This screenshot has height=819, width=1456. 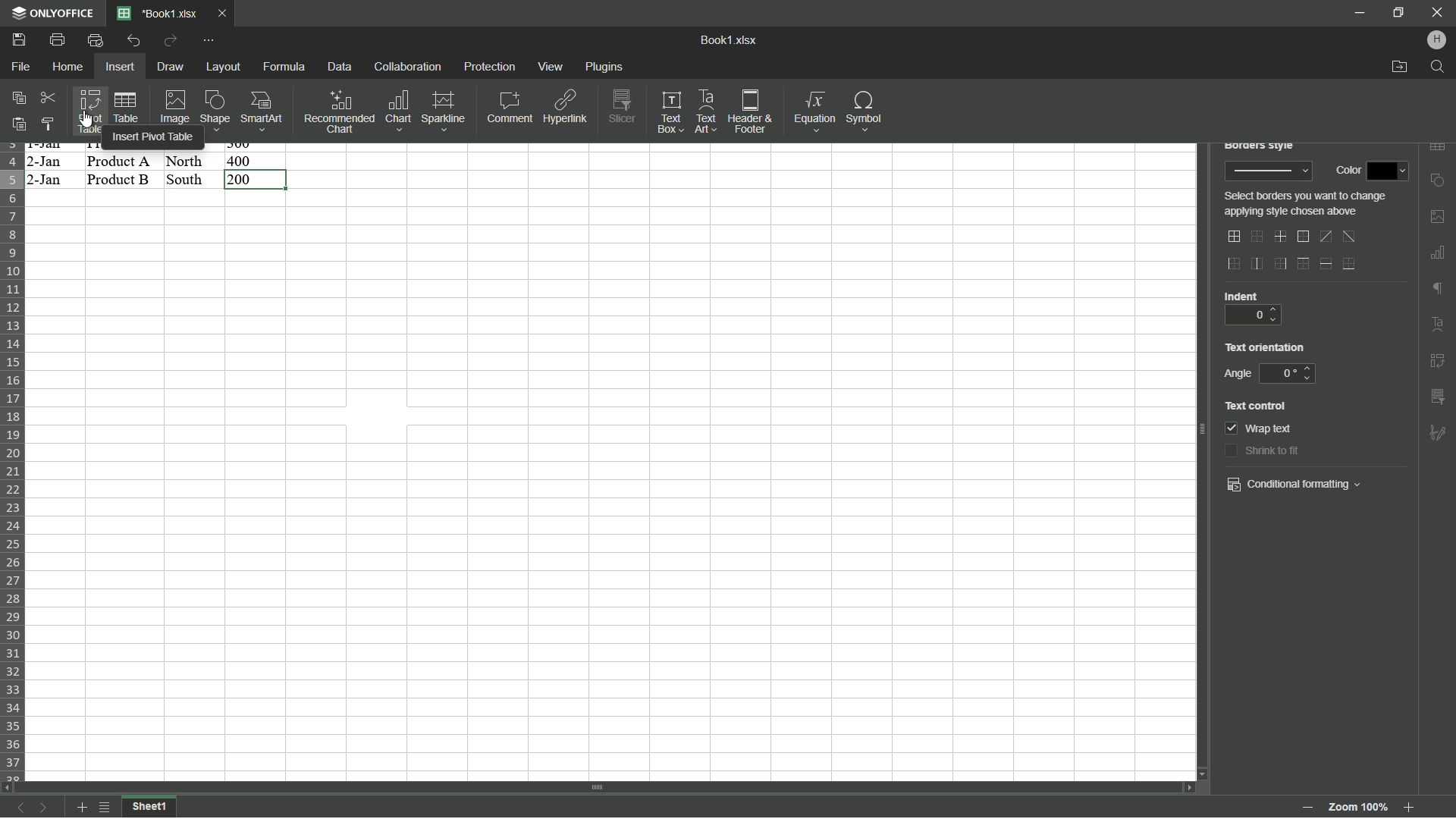 I want to click on celss, so click(x=742, y=168).